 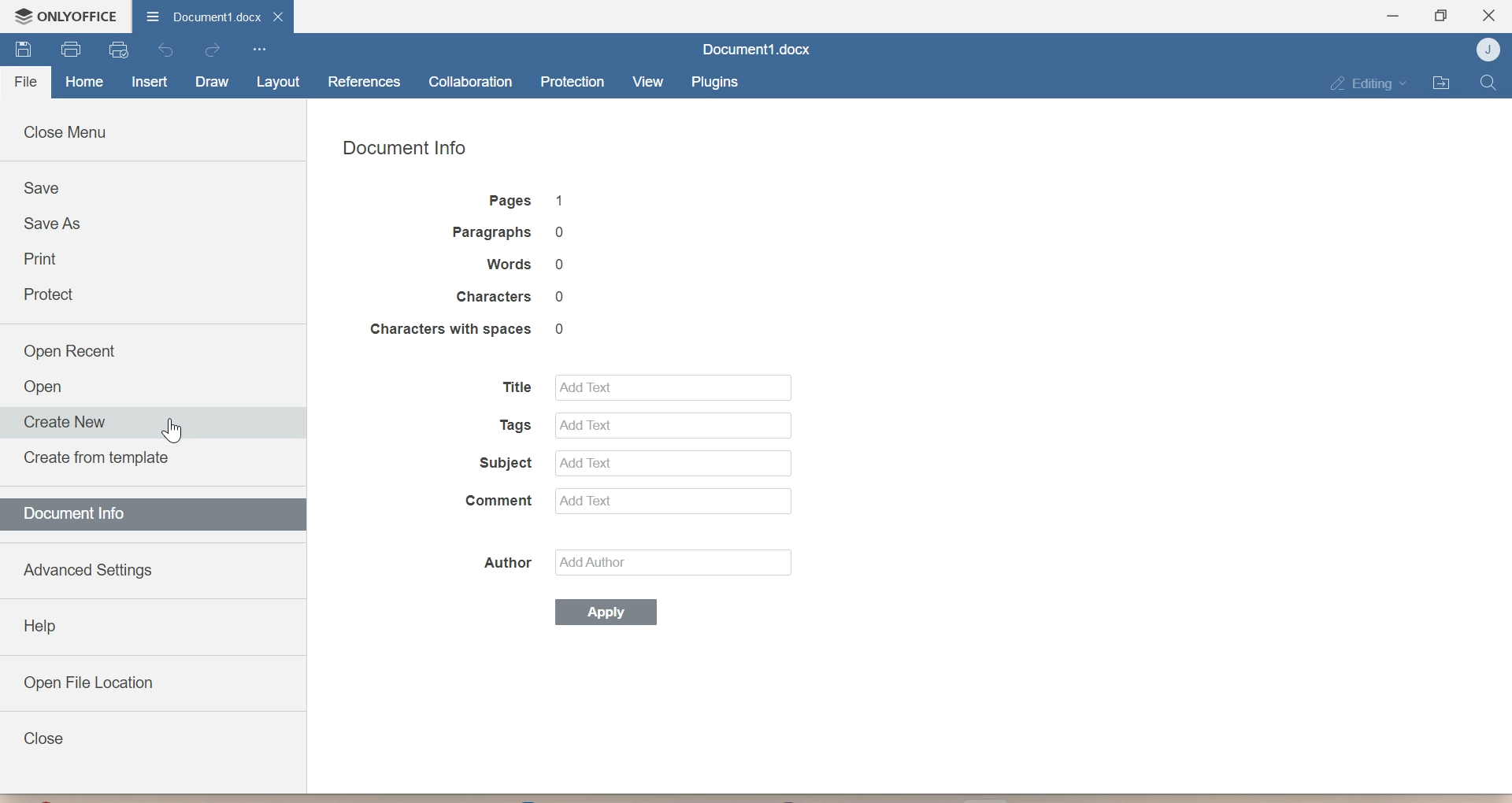 What do you see at coordinates (259, 50) in the screenshot?
I see `customize quick access toolbar` at bounding box center [259, 50].